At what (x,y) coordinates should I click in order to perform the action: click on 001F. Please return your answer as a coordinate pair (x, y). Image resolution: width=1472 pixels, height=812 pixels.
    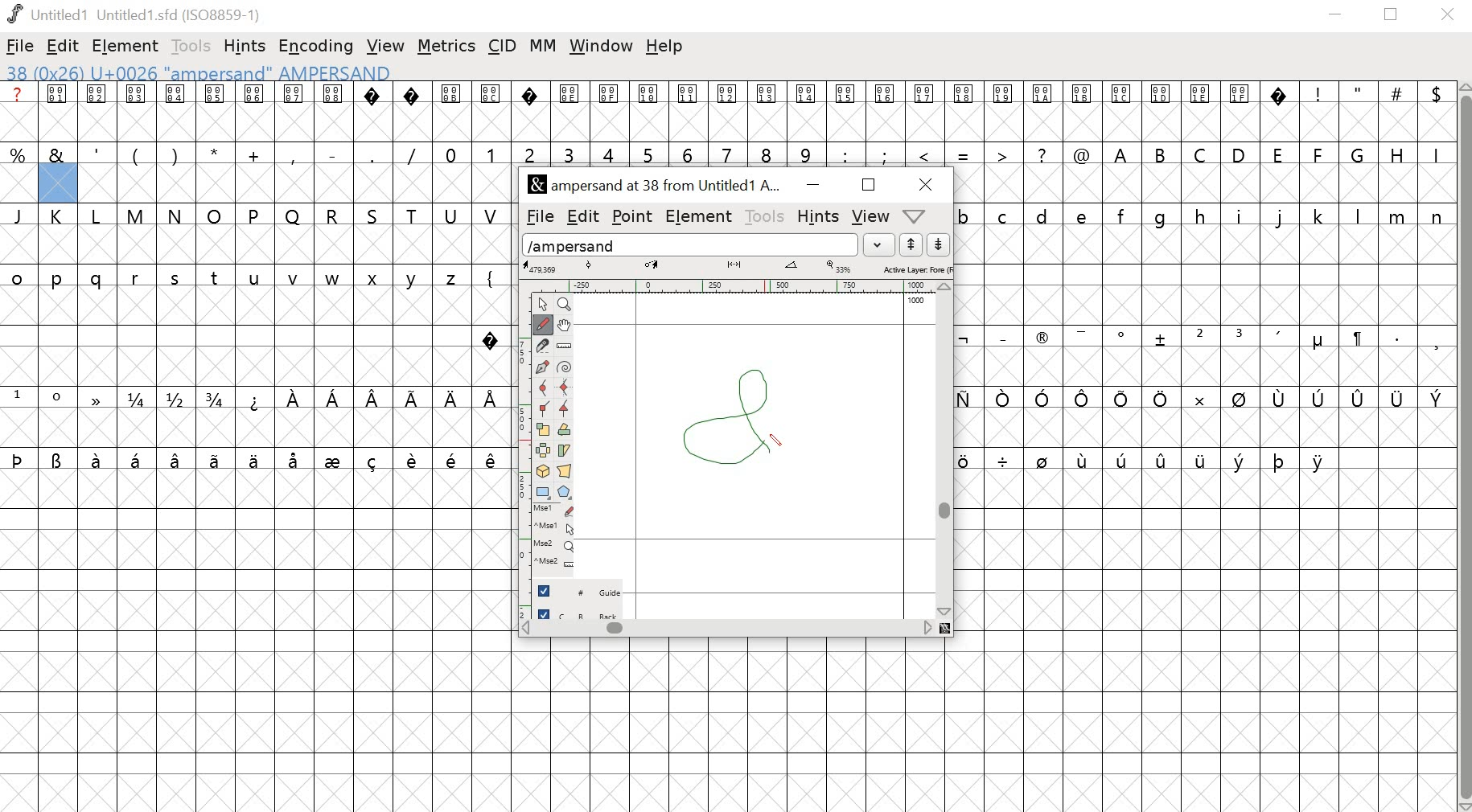
    Looking at the image, I should click on (1240, 111).